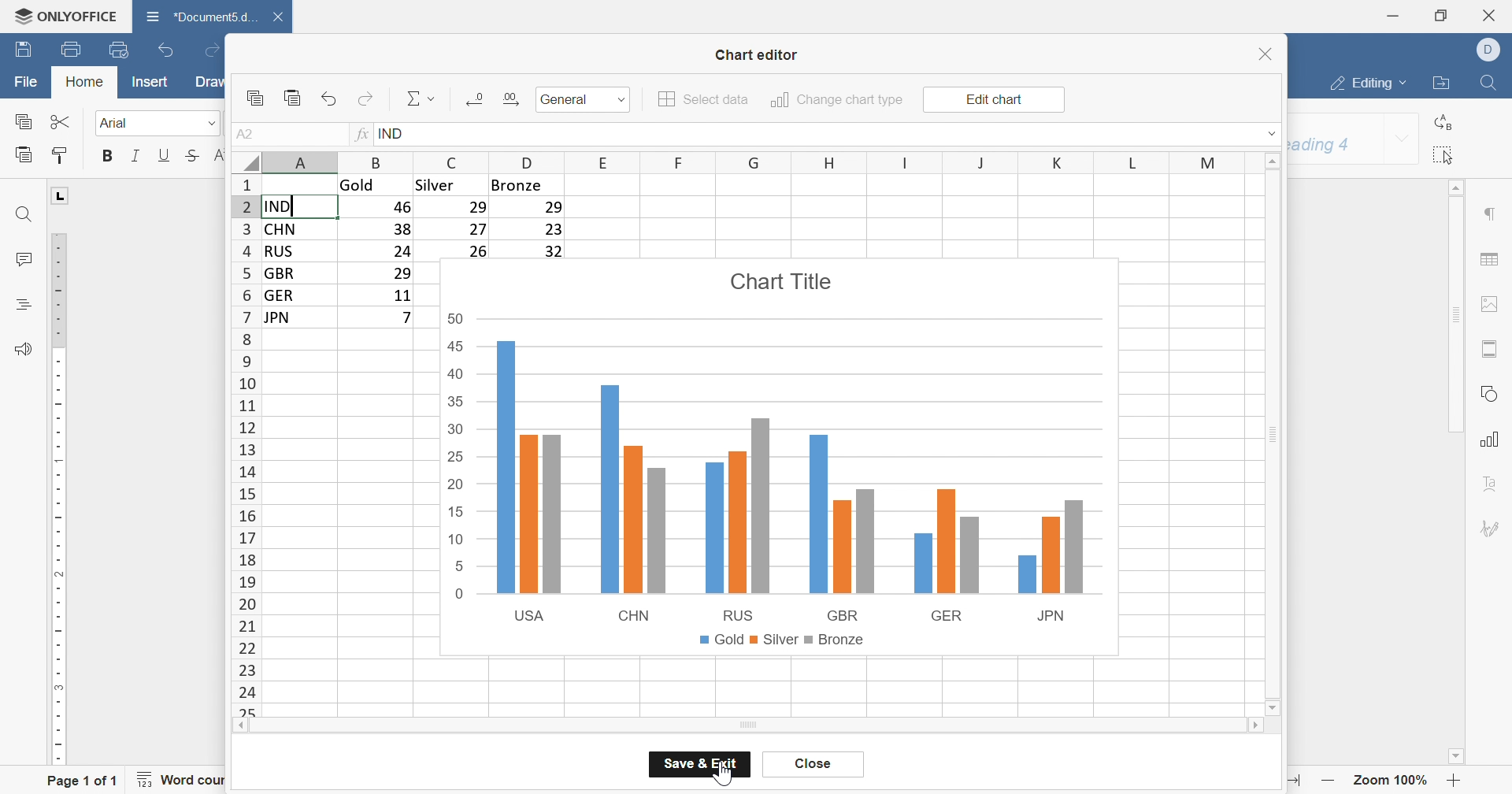  I want to click on save & exit, so click(702, 763).